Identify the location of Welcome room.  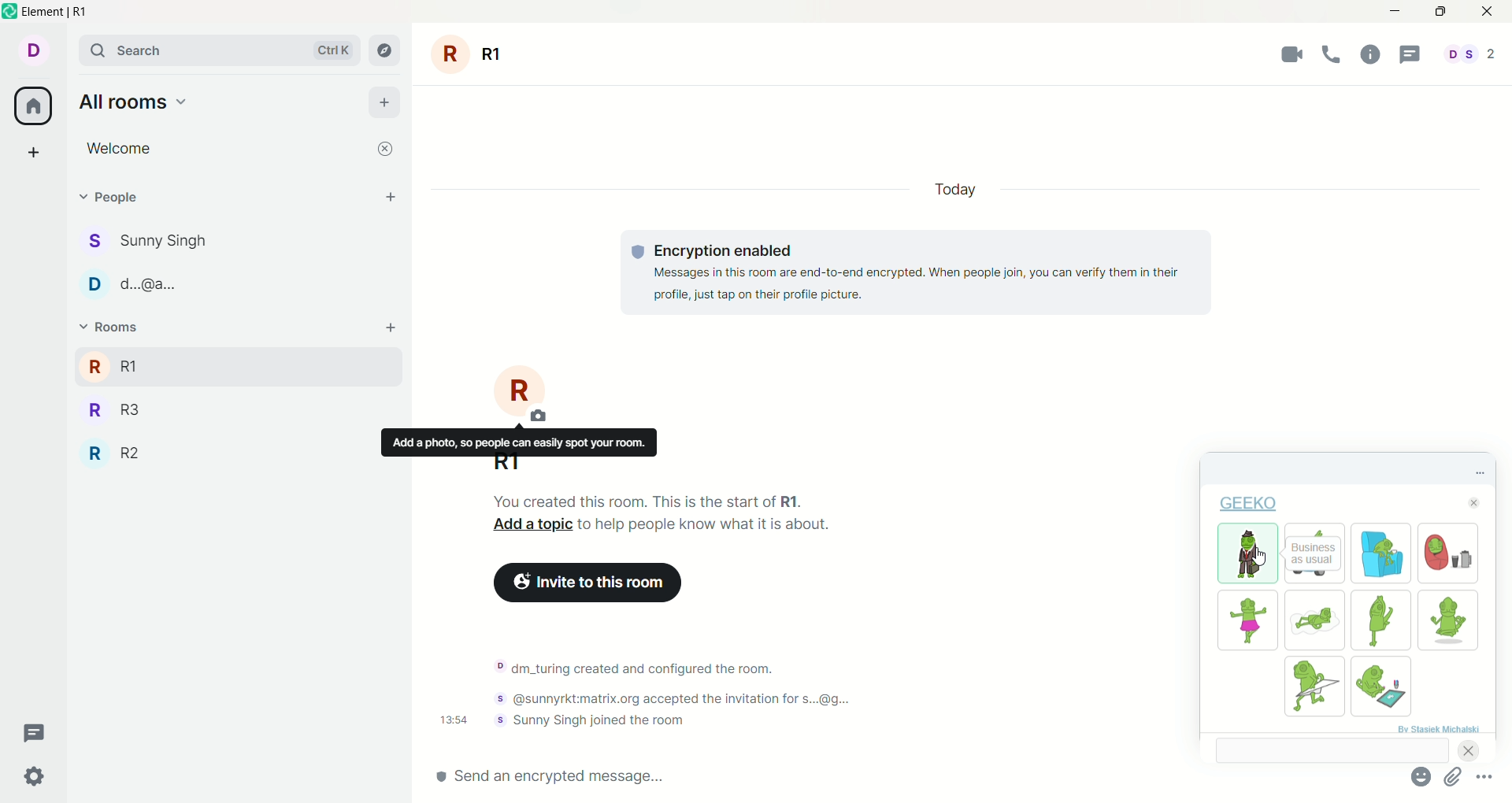
(224, 149).